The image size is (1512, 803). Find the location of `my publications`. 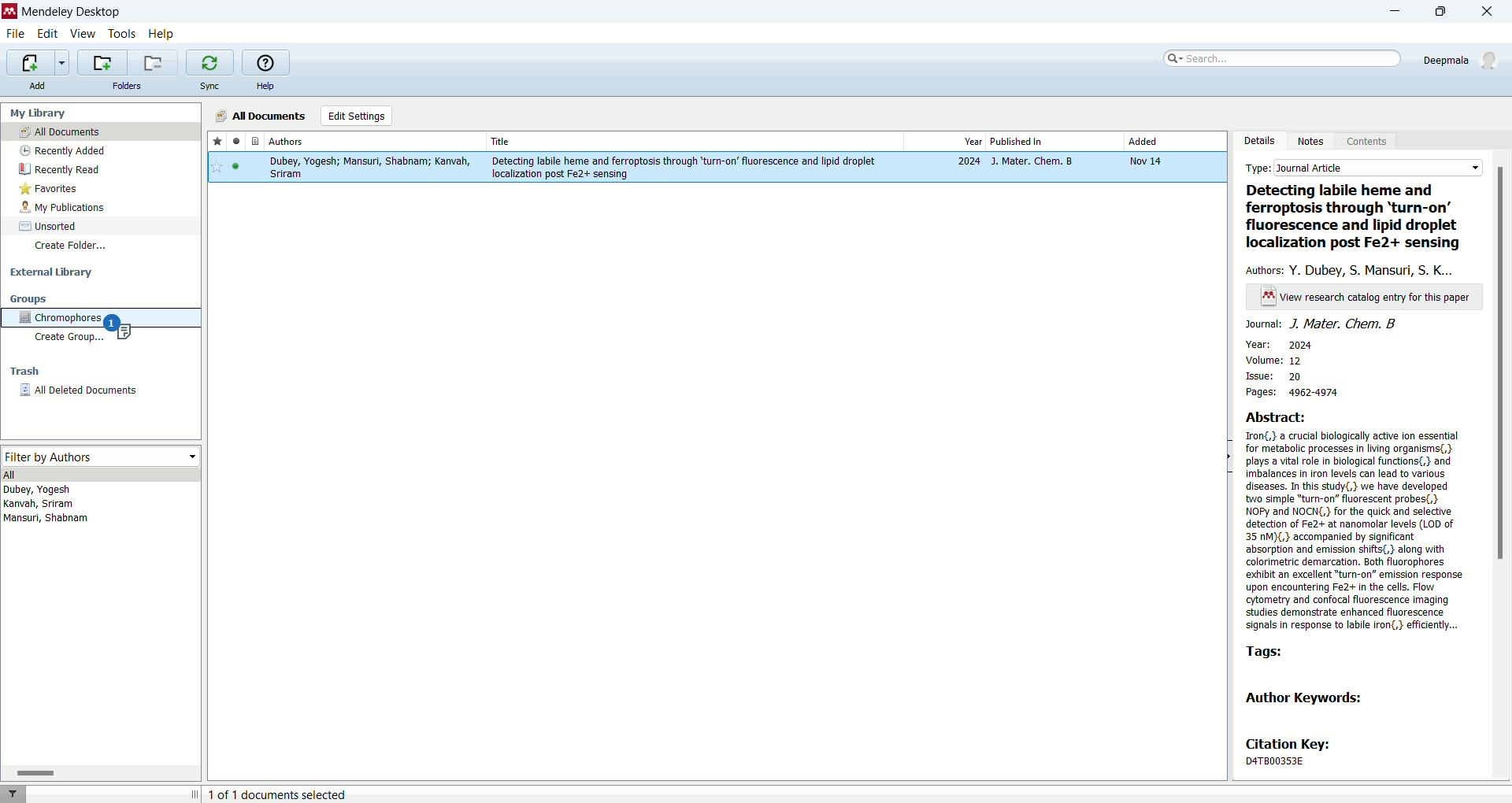

my publications is located at coordinates (65, 208).